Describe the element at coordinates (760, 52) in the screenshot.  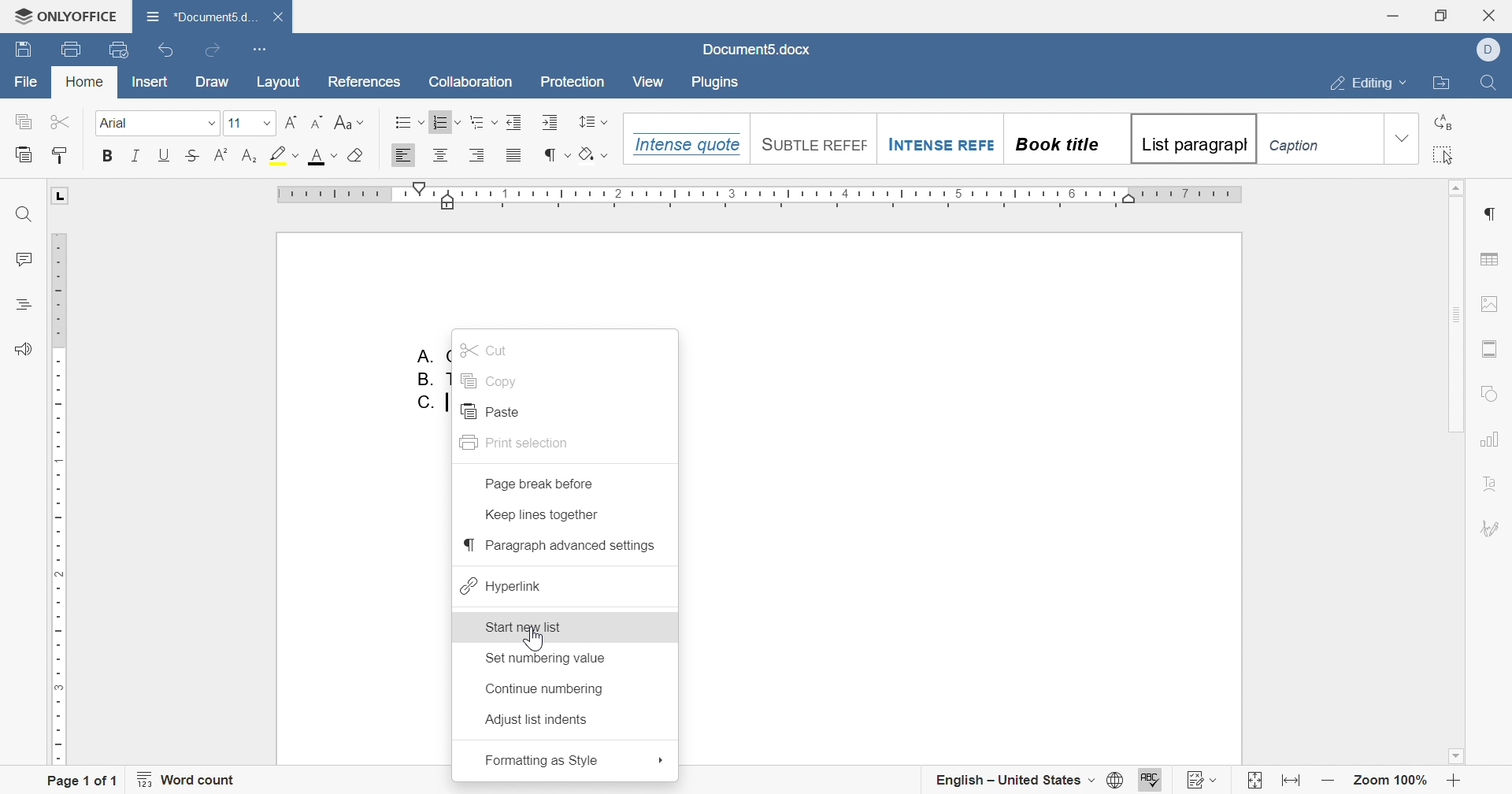
I see `document5.docx` at that location.